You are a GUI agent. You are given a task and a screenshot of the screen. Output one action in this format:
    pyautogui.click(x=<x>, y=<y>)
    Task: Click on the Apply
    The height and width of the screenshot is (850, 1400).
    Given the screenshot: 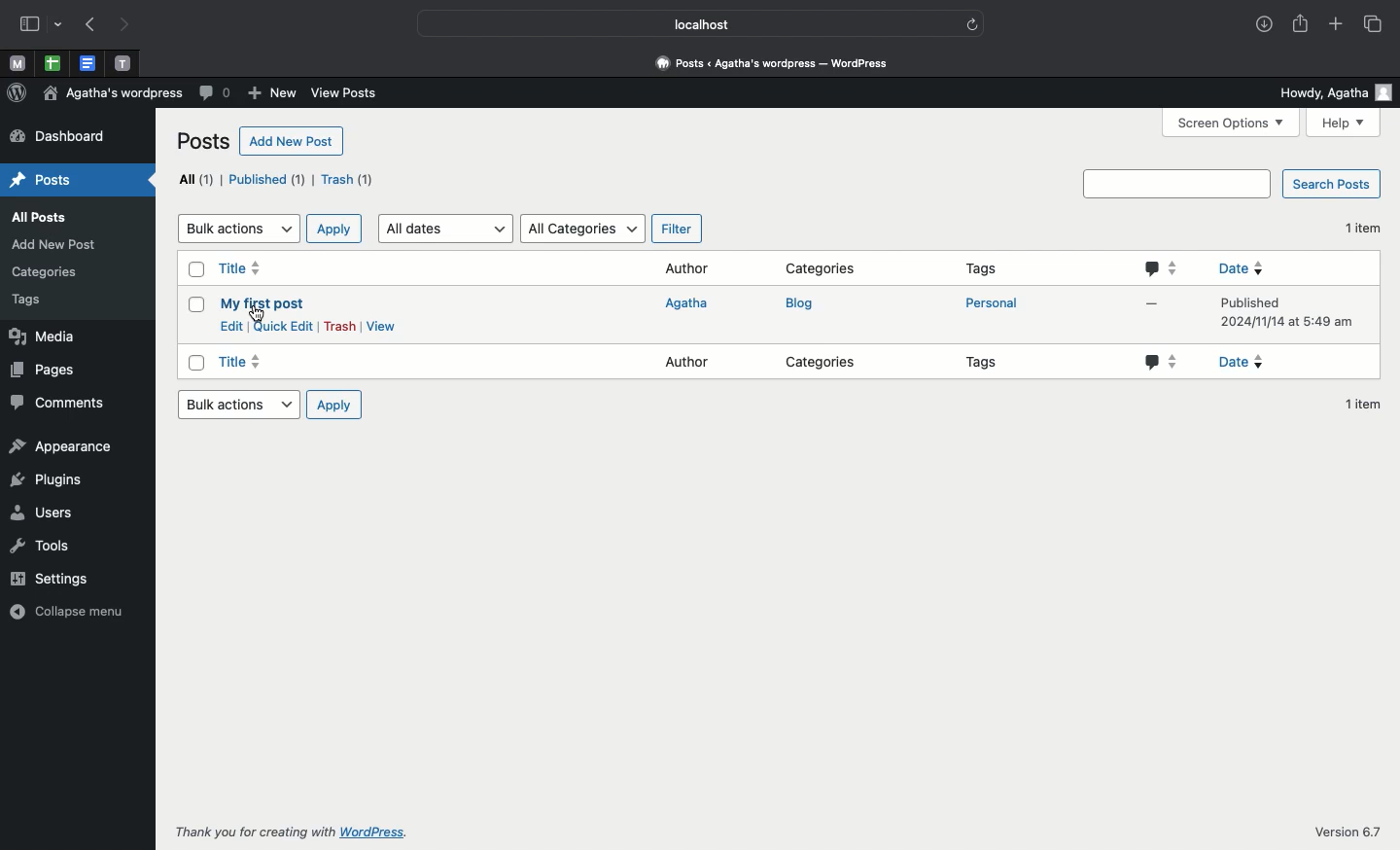 What is the action you would take?
    pyautogui.click(x=333, y=405)
    